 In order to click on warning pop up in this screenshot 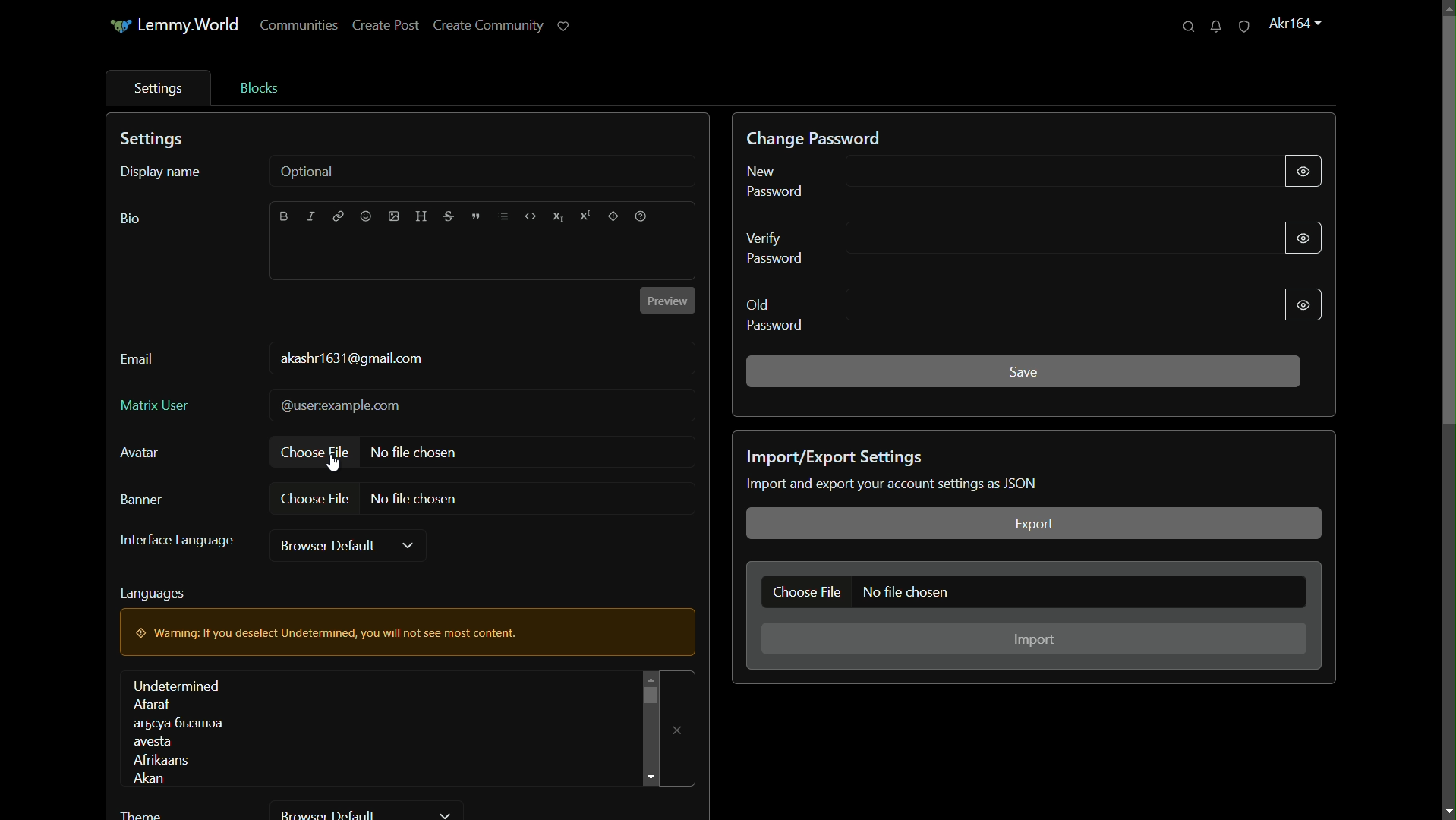, I will do `click(408, 632)`.